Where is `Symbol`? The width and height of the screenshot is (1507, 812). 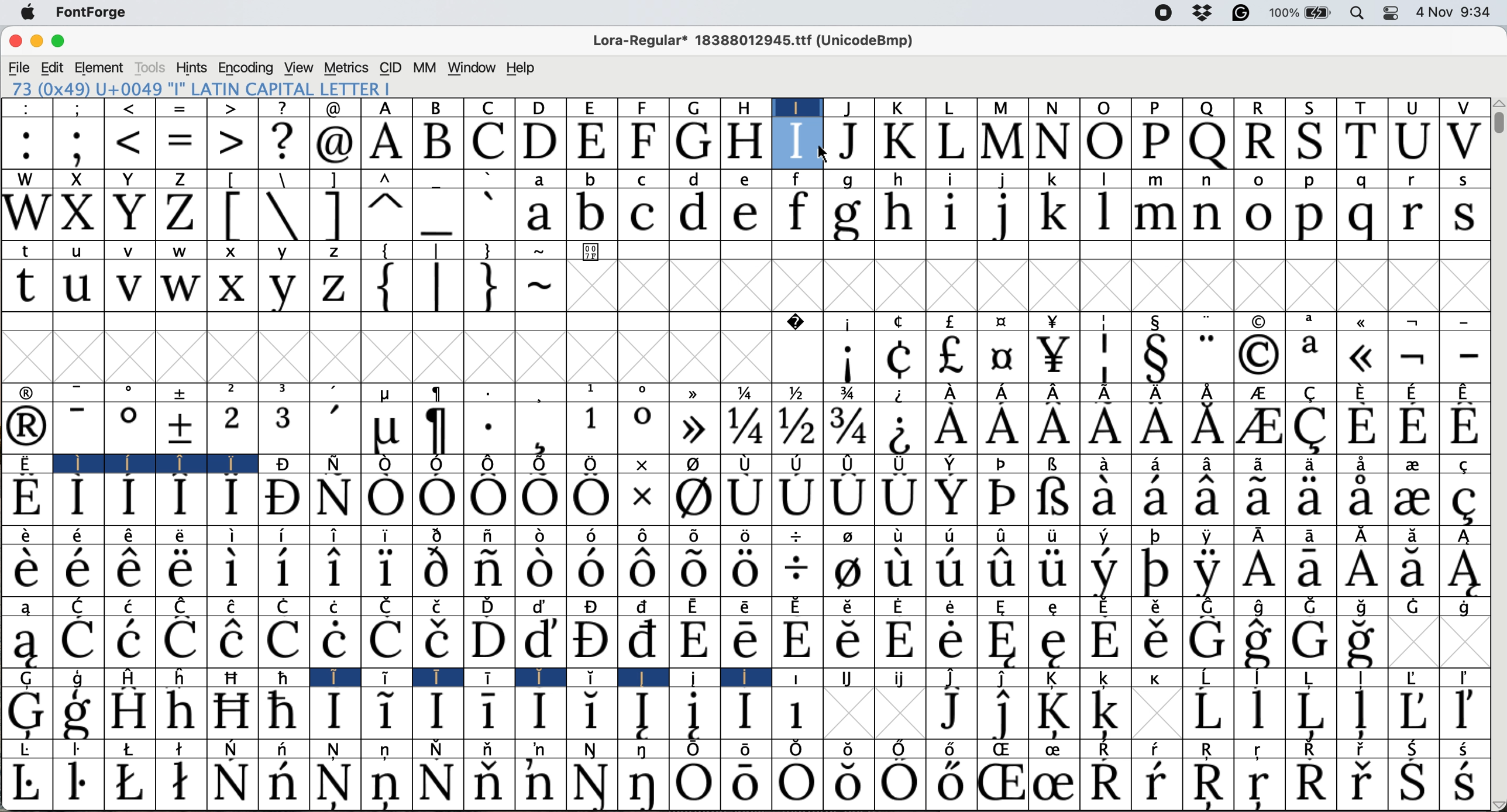 Symbol is located at coordinates (543, 677).